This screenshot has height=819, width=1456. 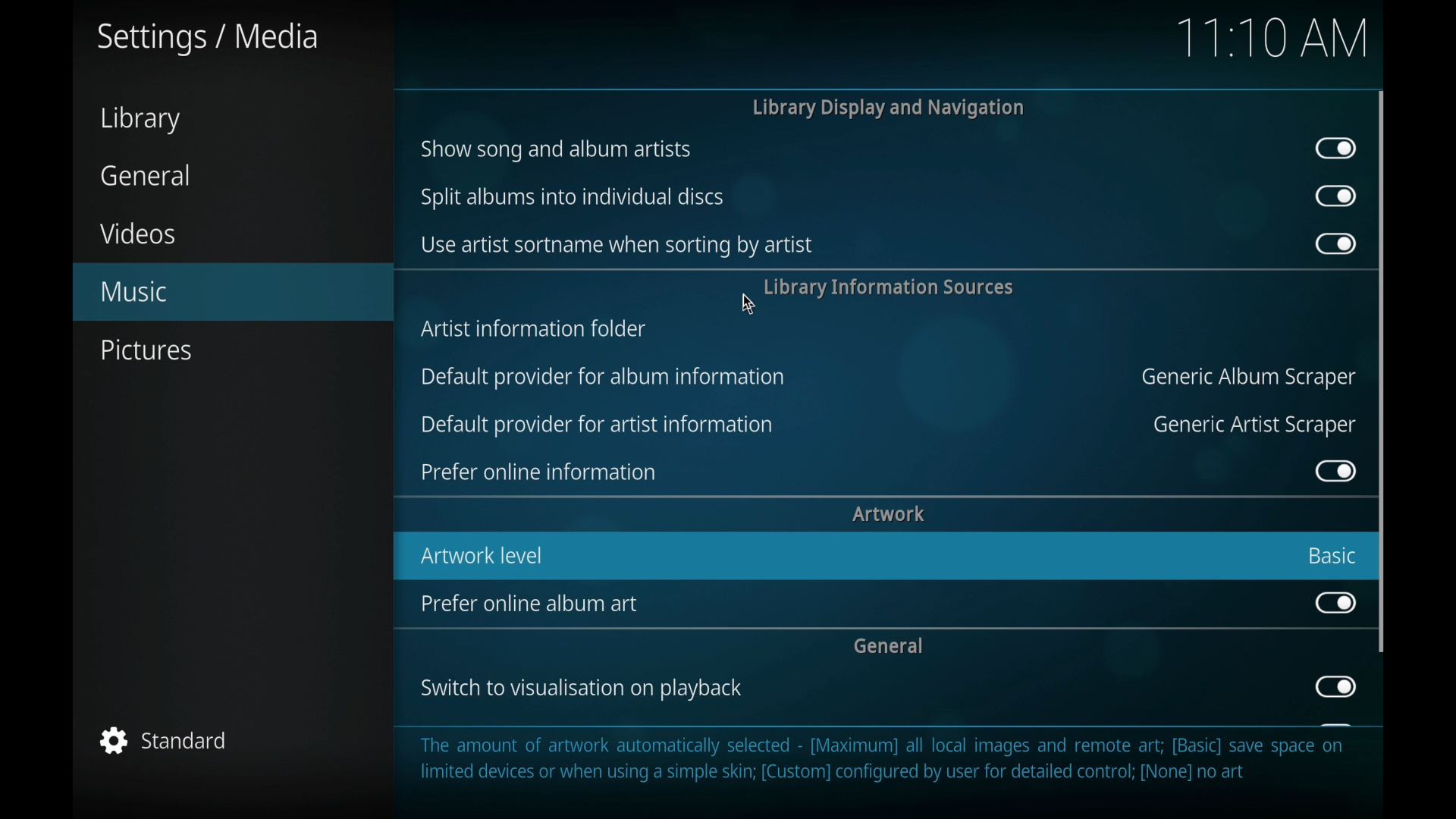 What do you see at coordinates (605, 377) in the screenshot?
I see `default provider for album information` at bounding box center [605, 377].